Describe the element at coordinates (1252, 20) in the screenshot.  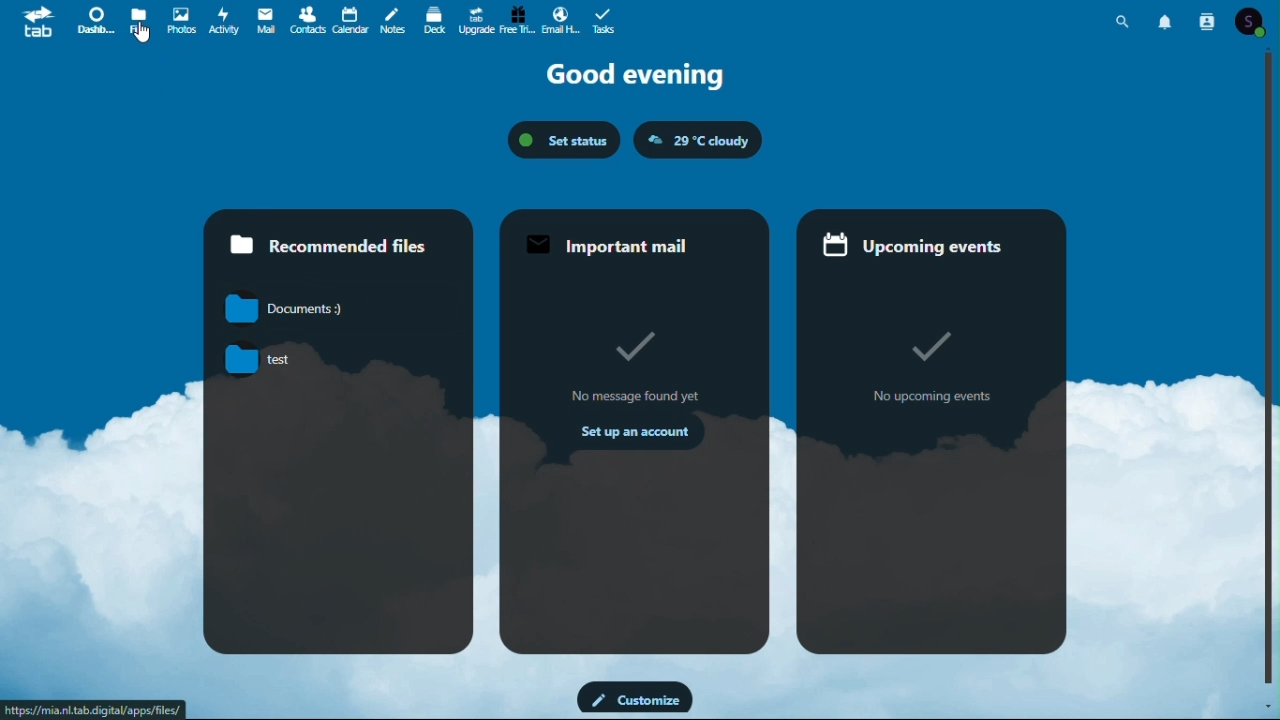
I see `Account icon` at that location.